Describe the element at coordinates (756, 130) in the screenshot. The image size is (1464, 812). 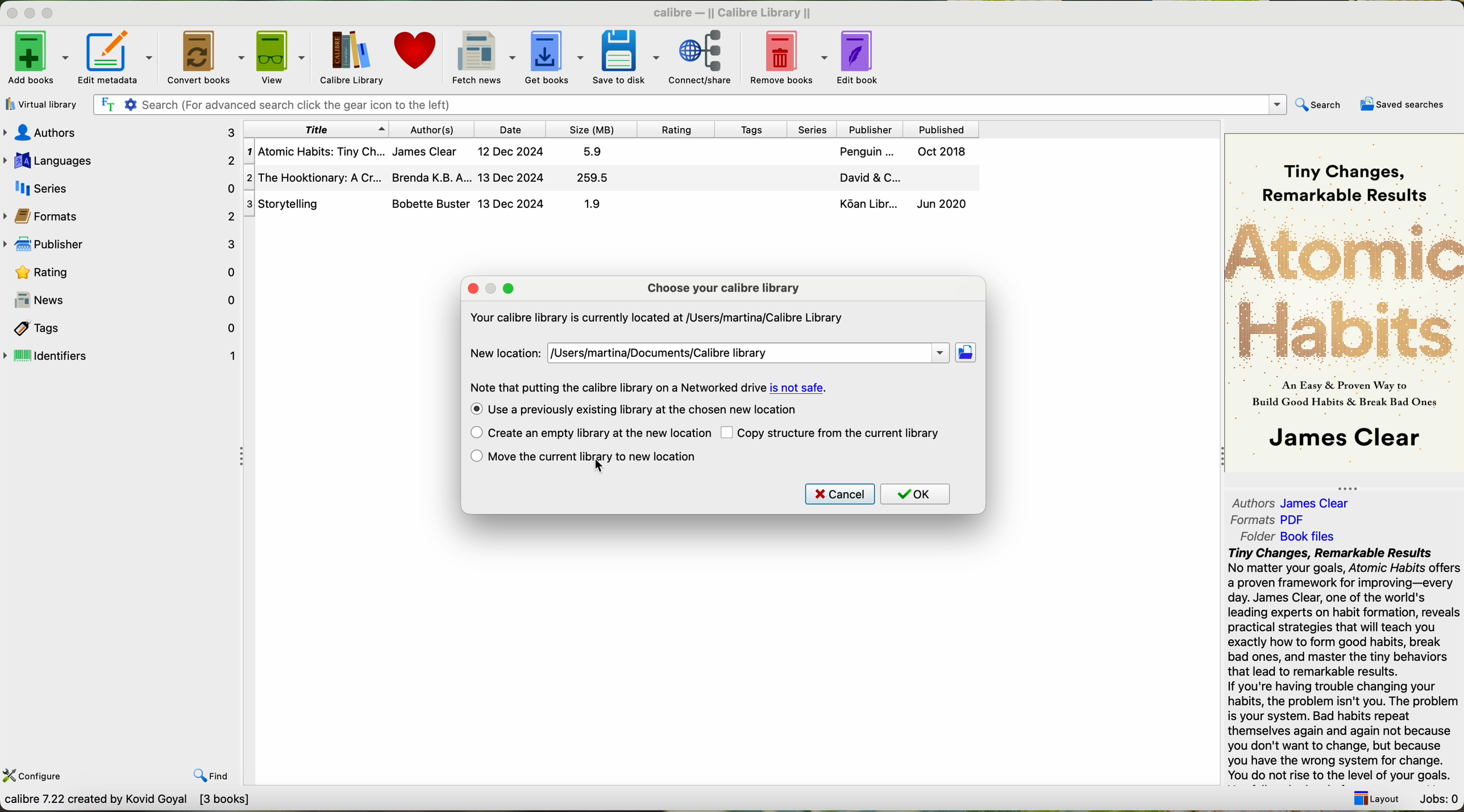
I see `tags` at that location.